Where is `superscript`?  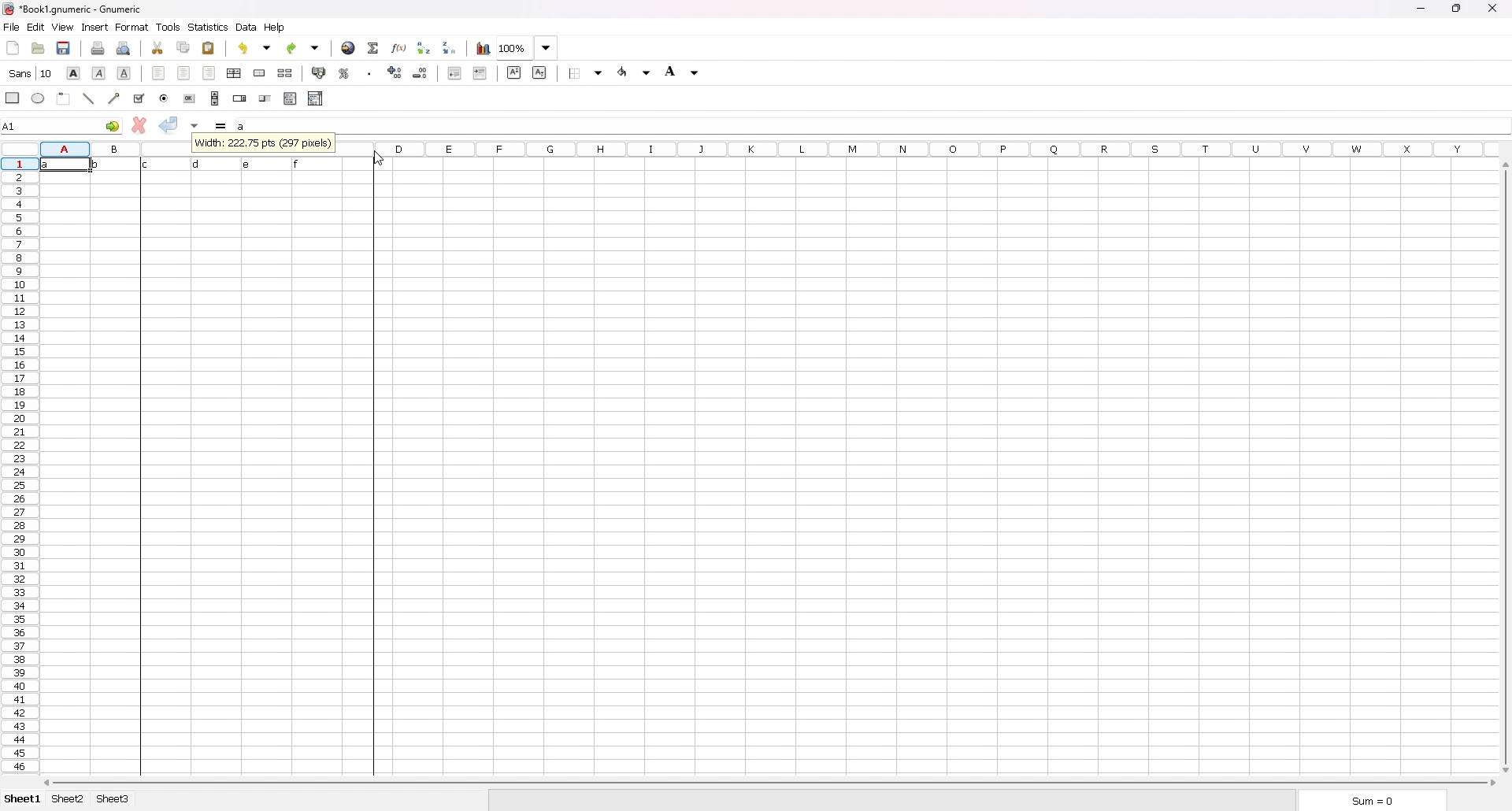 superscript is located at coordinates (513, 72).